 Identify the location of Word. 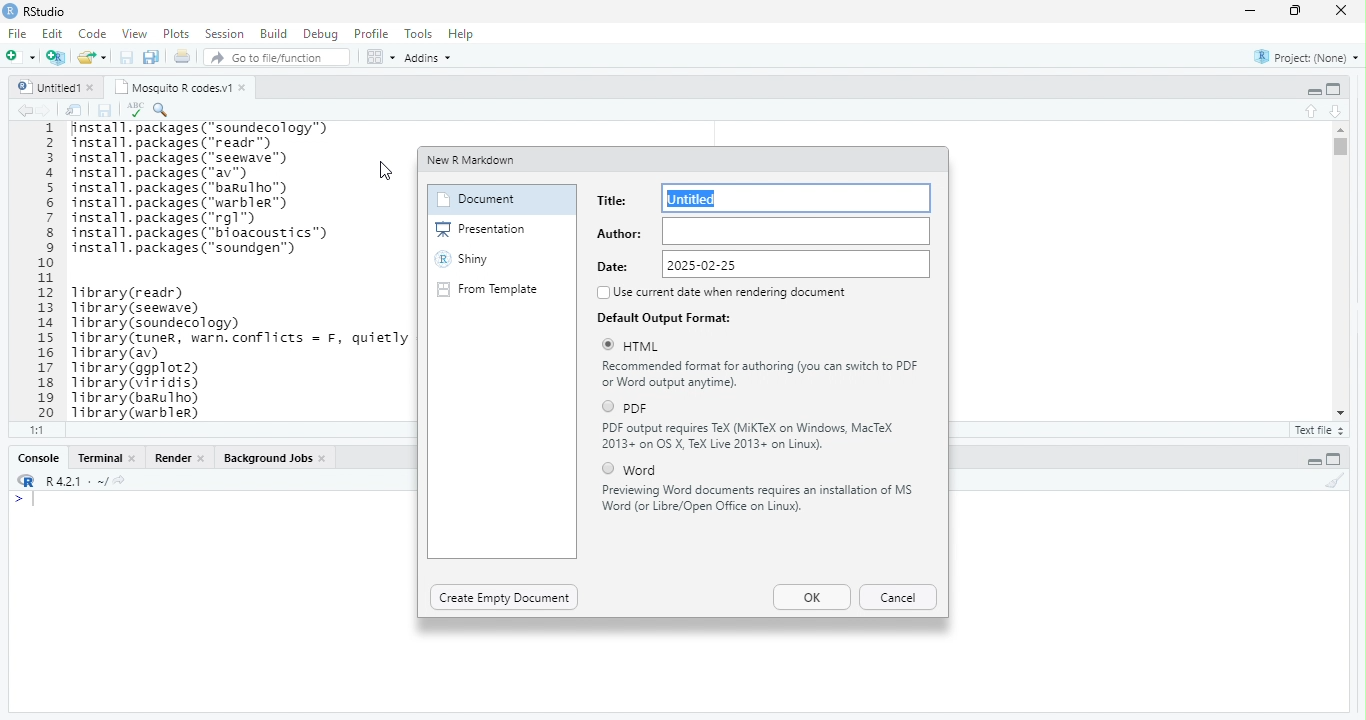
(641, 471).